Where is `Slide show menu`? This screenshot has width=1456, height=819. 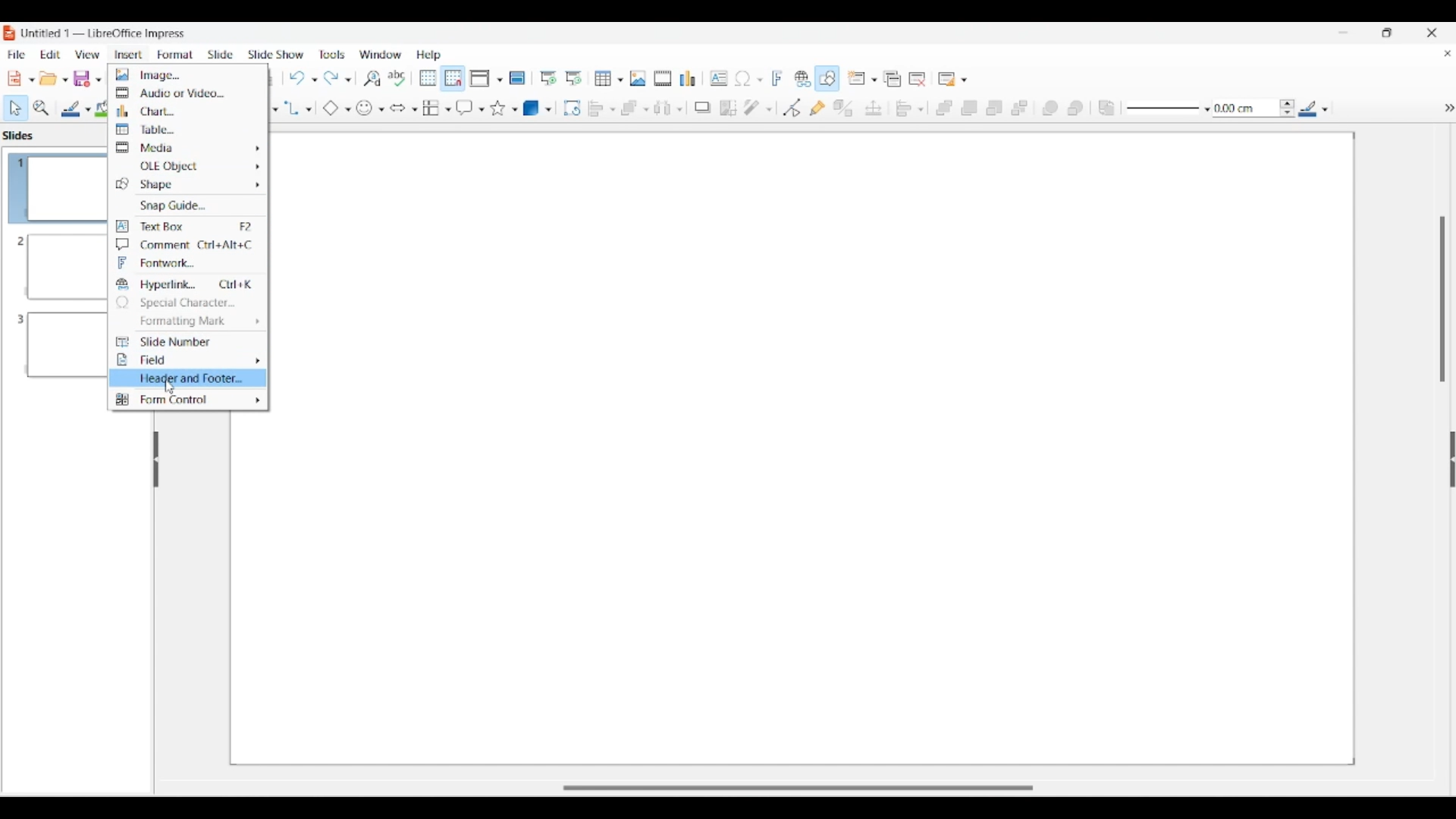 Slide show menu is located at coordinates (275, 55).